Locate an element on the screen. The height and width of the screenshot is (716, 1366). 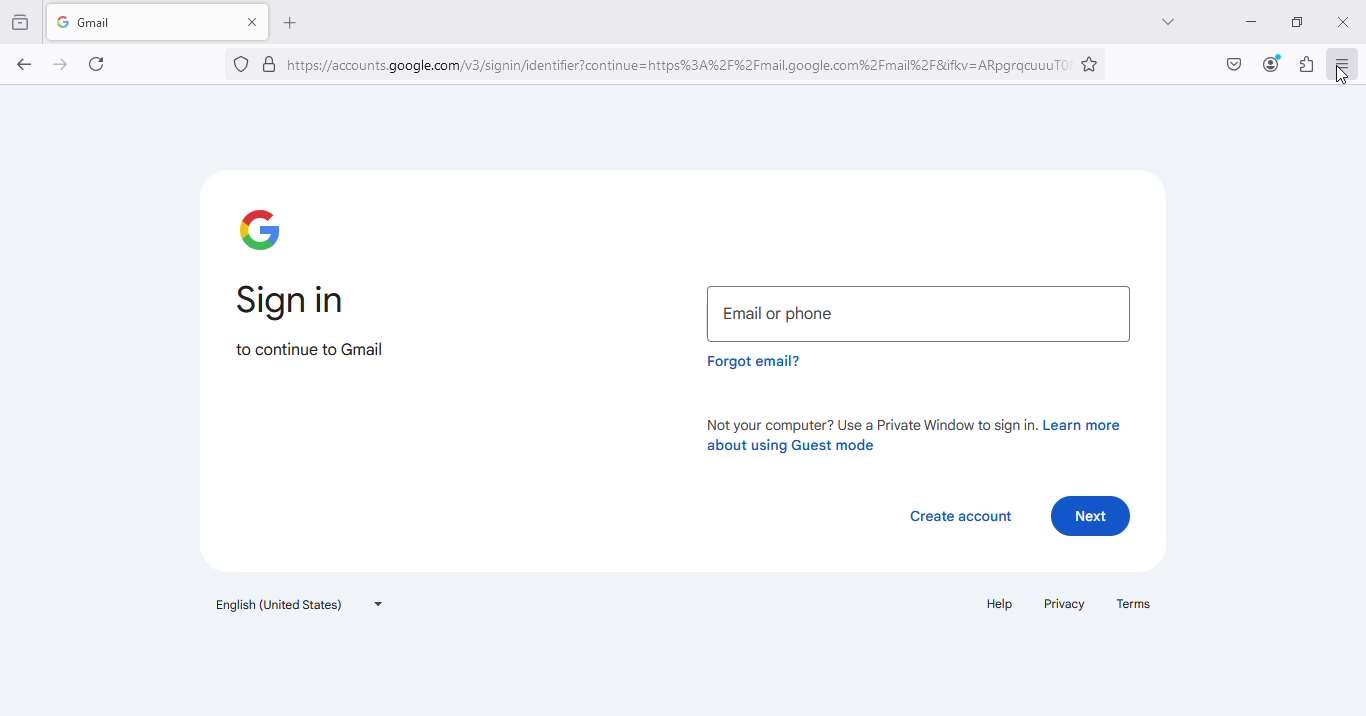
email or phone is located at coordinates (919, 314).